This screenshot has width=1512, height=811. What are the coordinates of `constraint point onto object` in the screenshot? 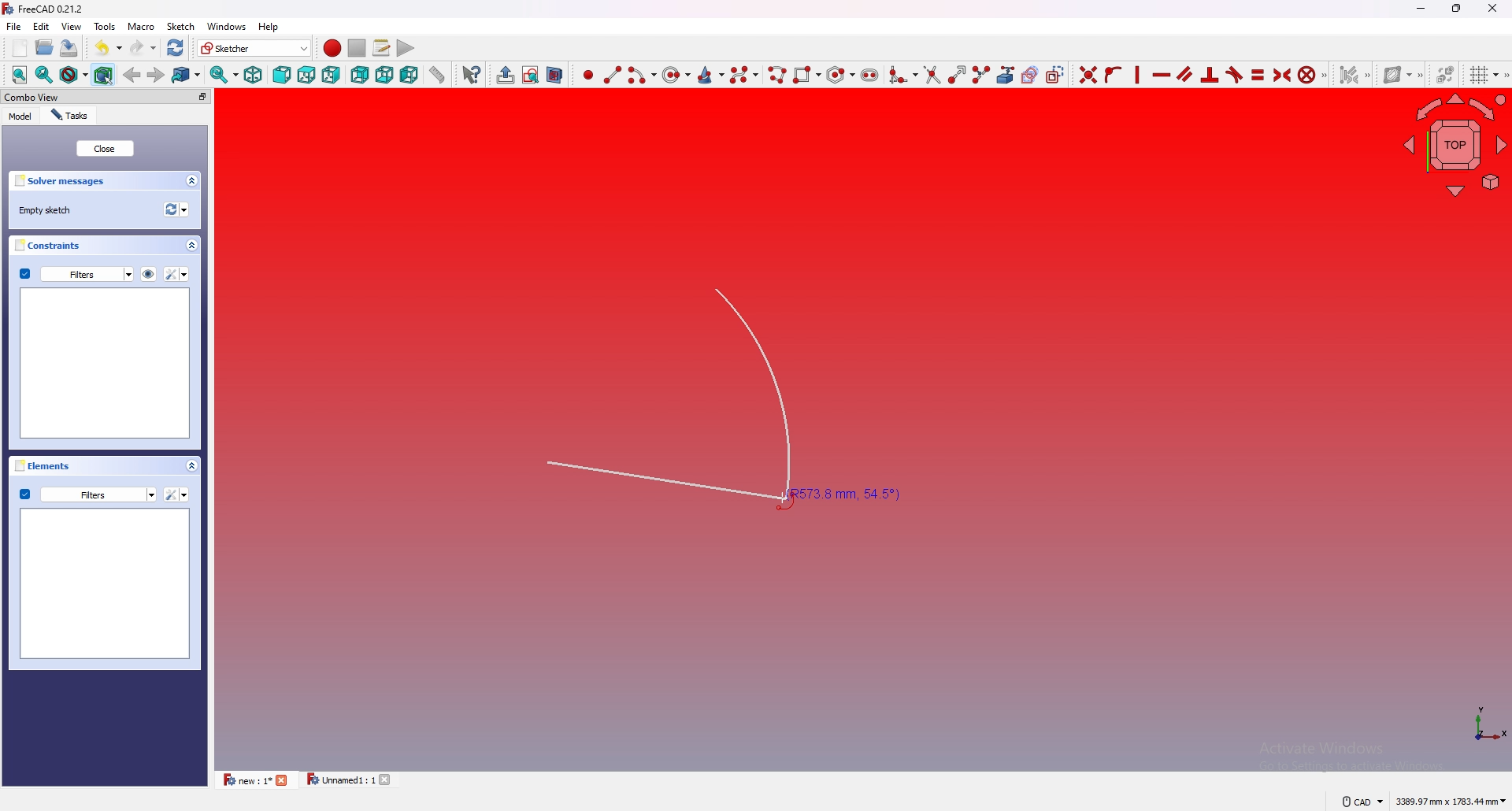 It's located at (1114, 74).